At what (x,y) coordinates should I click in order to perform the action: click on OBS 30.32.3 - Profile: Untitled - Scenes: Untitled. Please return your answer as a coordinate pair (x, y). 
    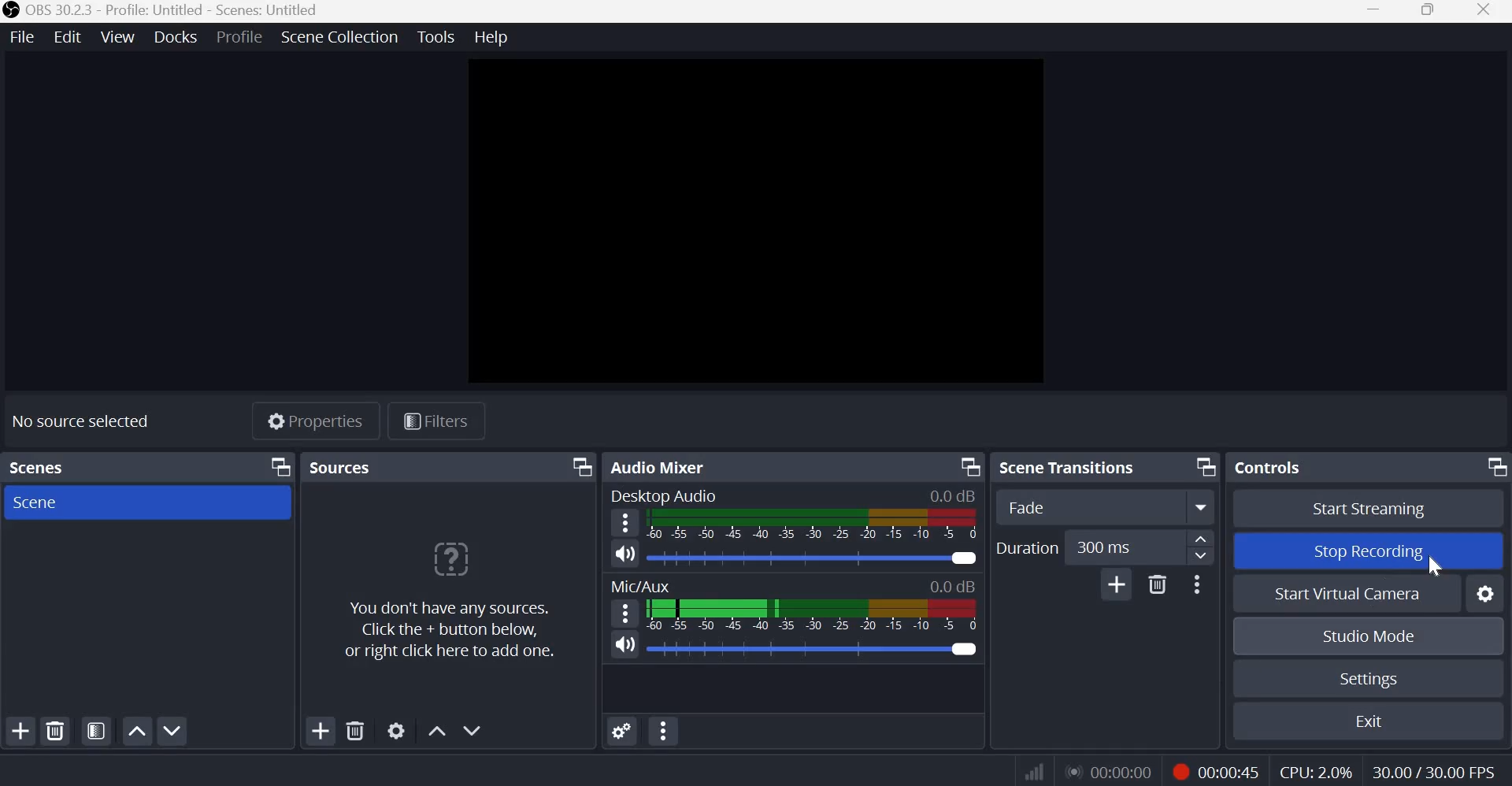
    Looking at the image, I should click on (172, 11).